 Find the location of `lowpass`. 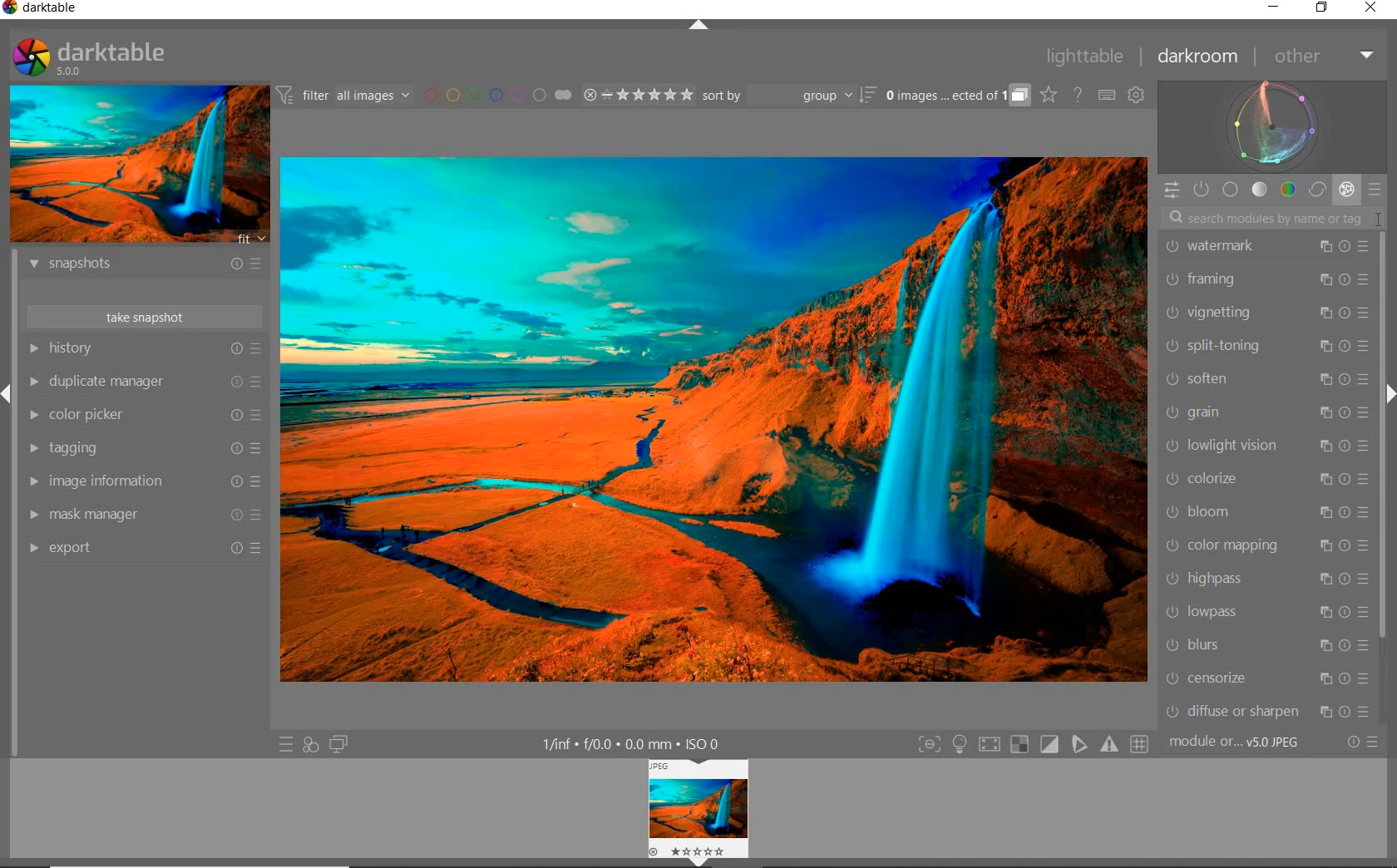

lowpass is located at coordinates (1266, 614).